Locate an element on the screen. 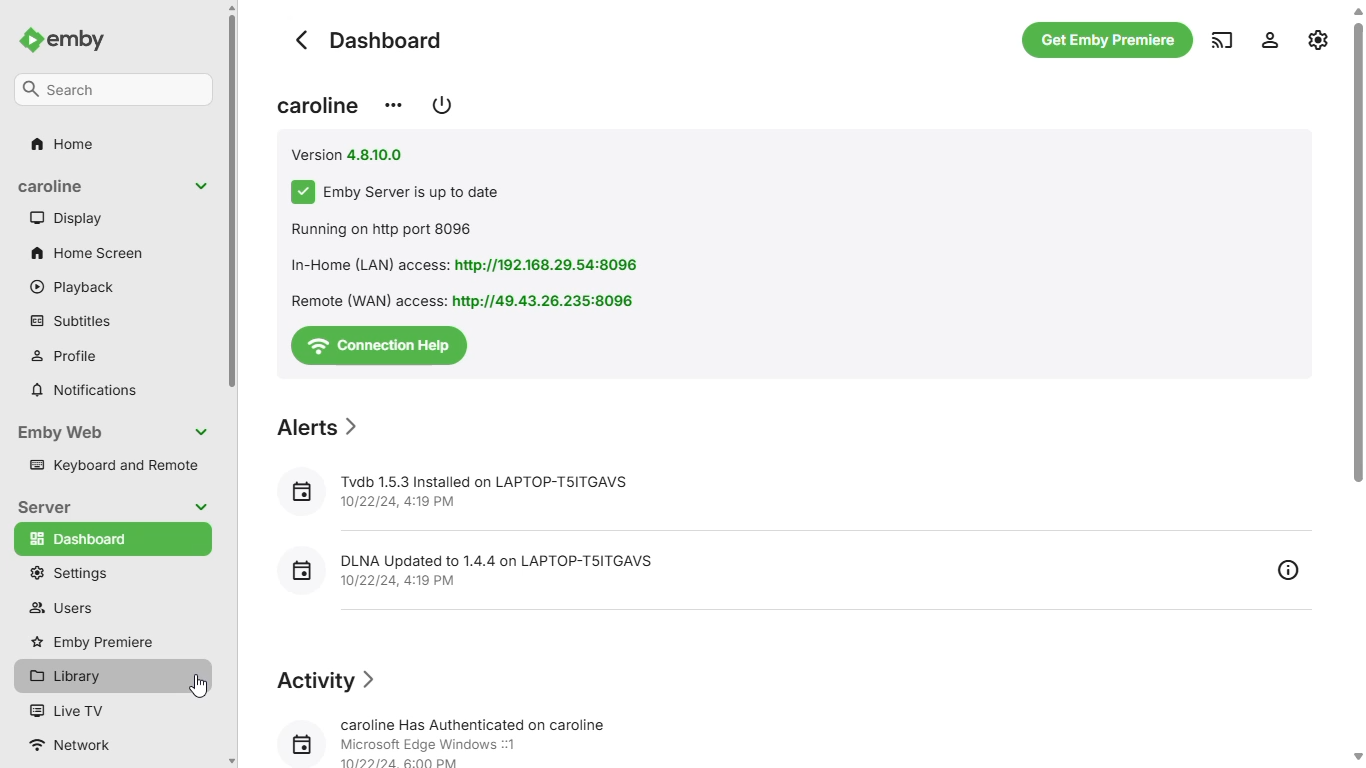  server is located at coordinates (114, 507).